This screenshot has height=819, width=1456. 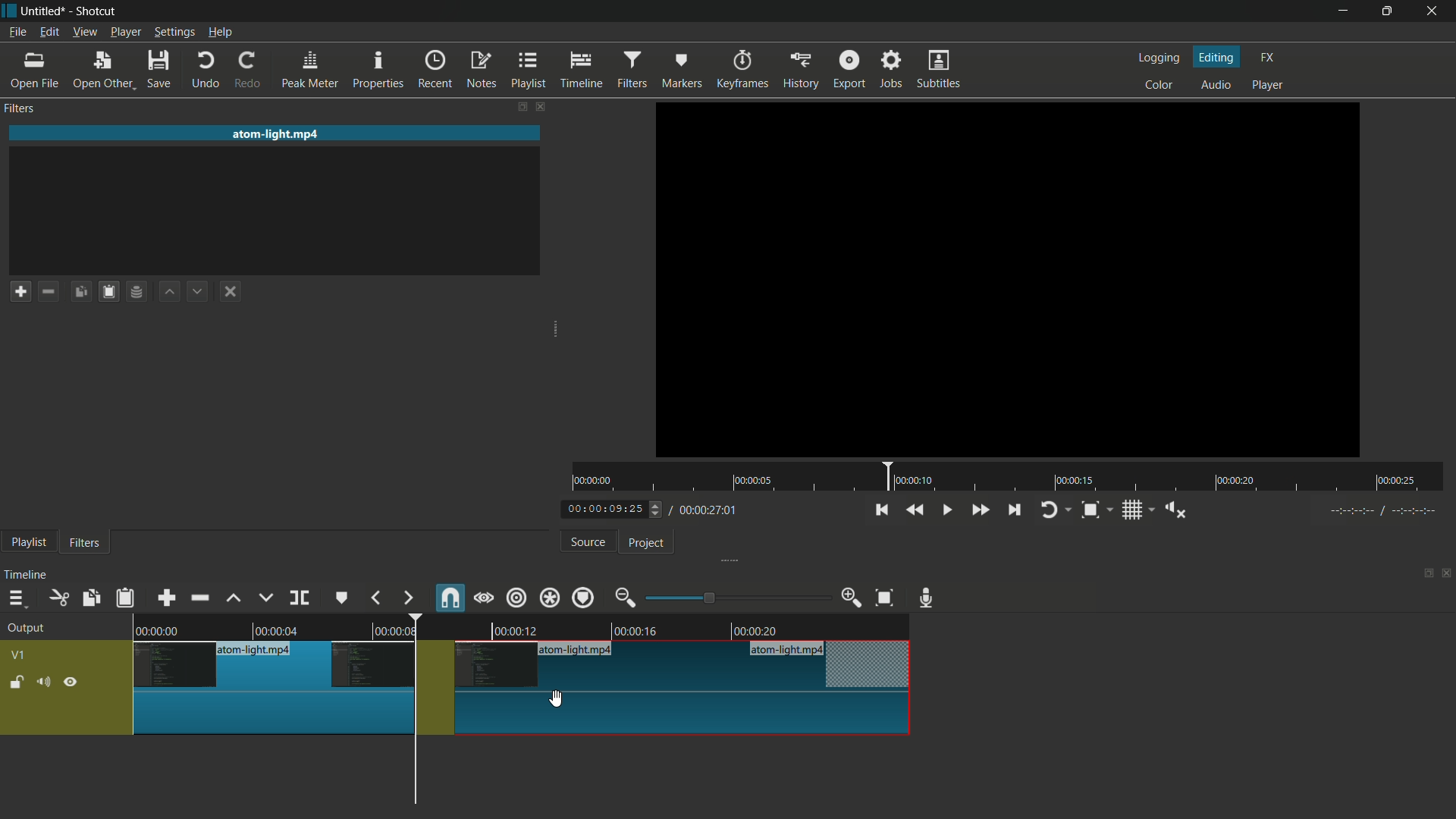 What do you see at coordinates (83, 33) in the screenshot?
I see `view menu` at bounding box center [83, 33].